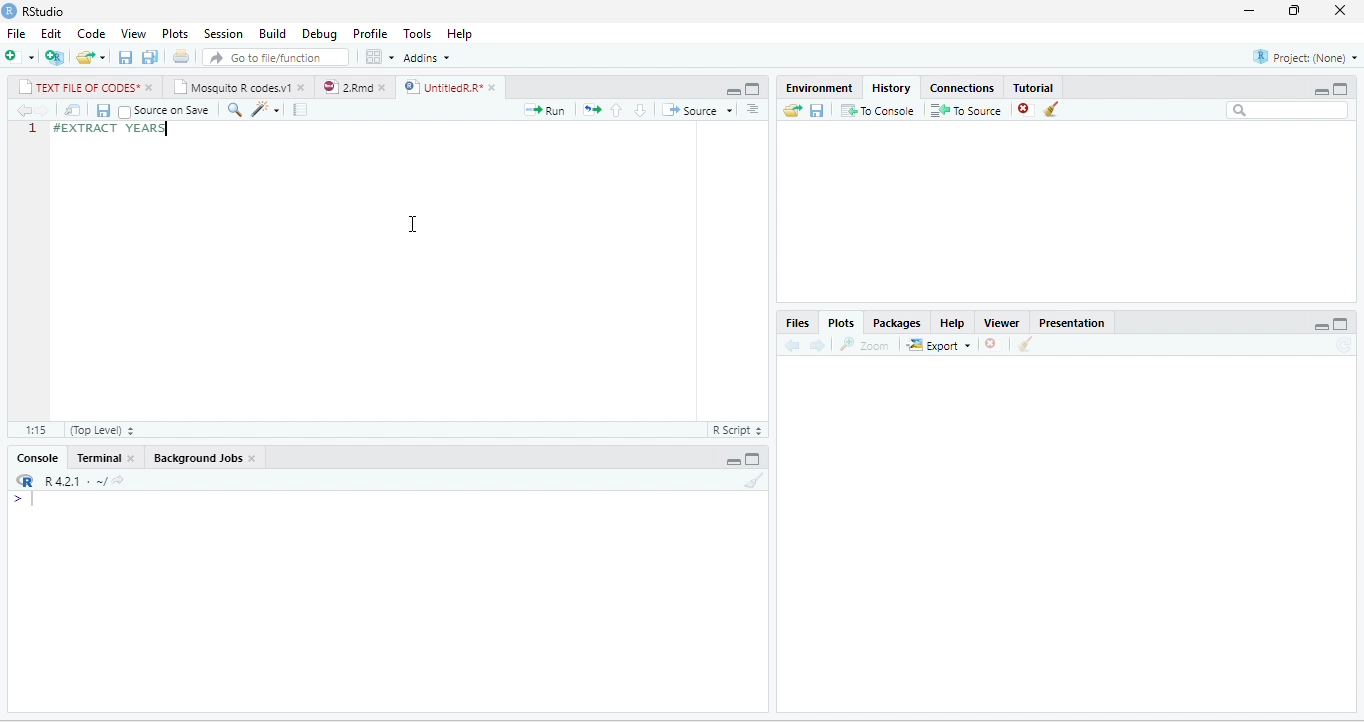 Image resolution: width=1364 pixels, height=722 pixels. What do you see at coordinates (71, 481) in the screenshot?
I see `R 4.2.1 .~/` at bounding box center [71, 481].